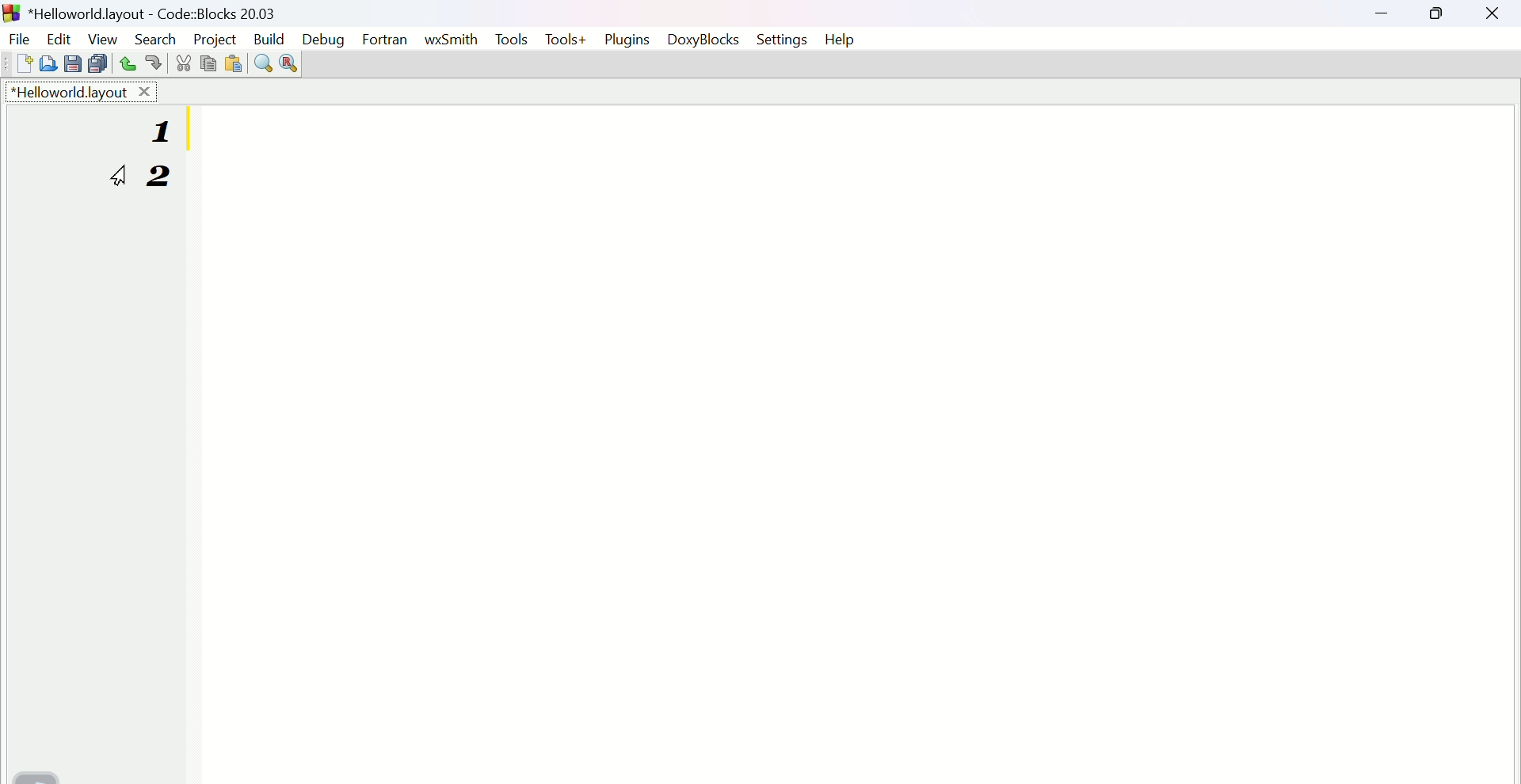 Image resolution: width=1521 pixels, height=784 pixels. Describe the element at coordinates (123, 63) in the screenshot. I see `Undo` at that location.